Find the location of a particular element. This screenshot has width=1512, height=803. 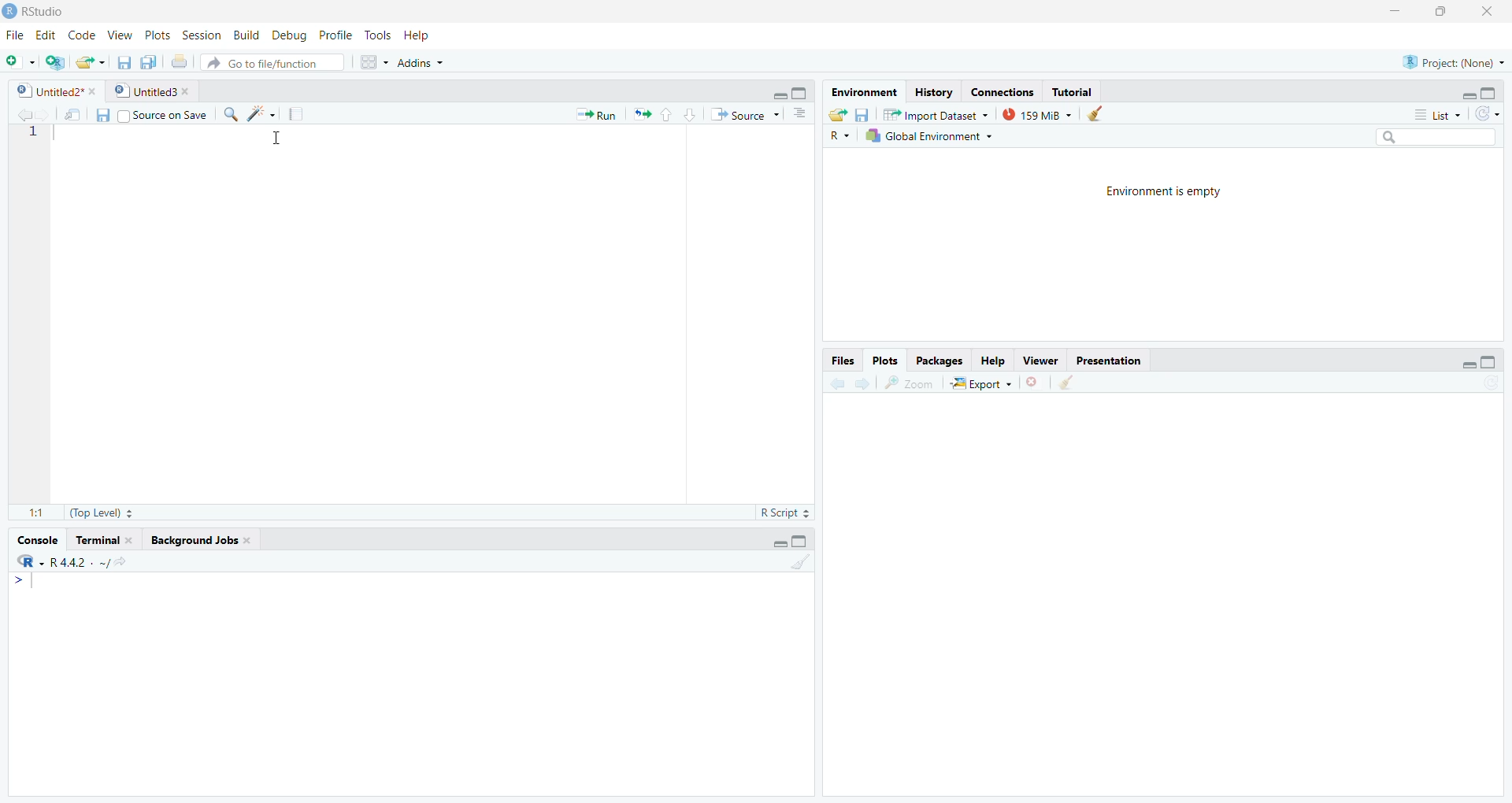

Up is located at coordinates (665, 113).